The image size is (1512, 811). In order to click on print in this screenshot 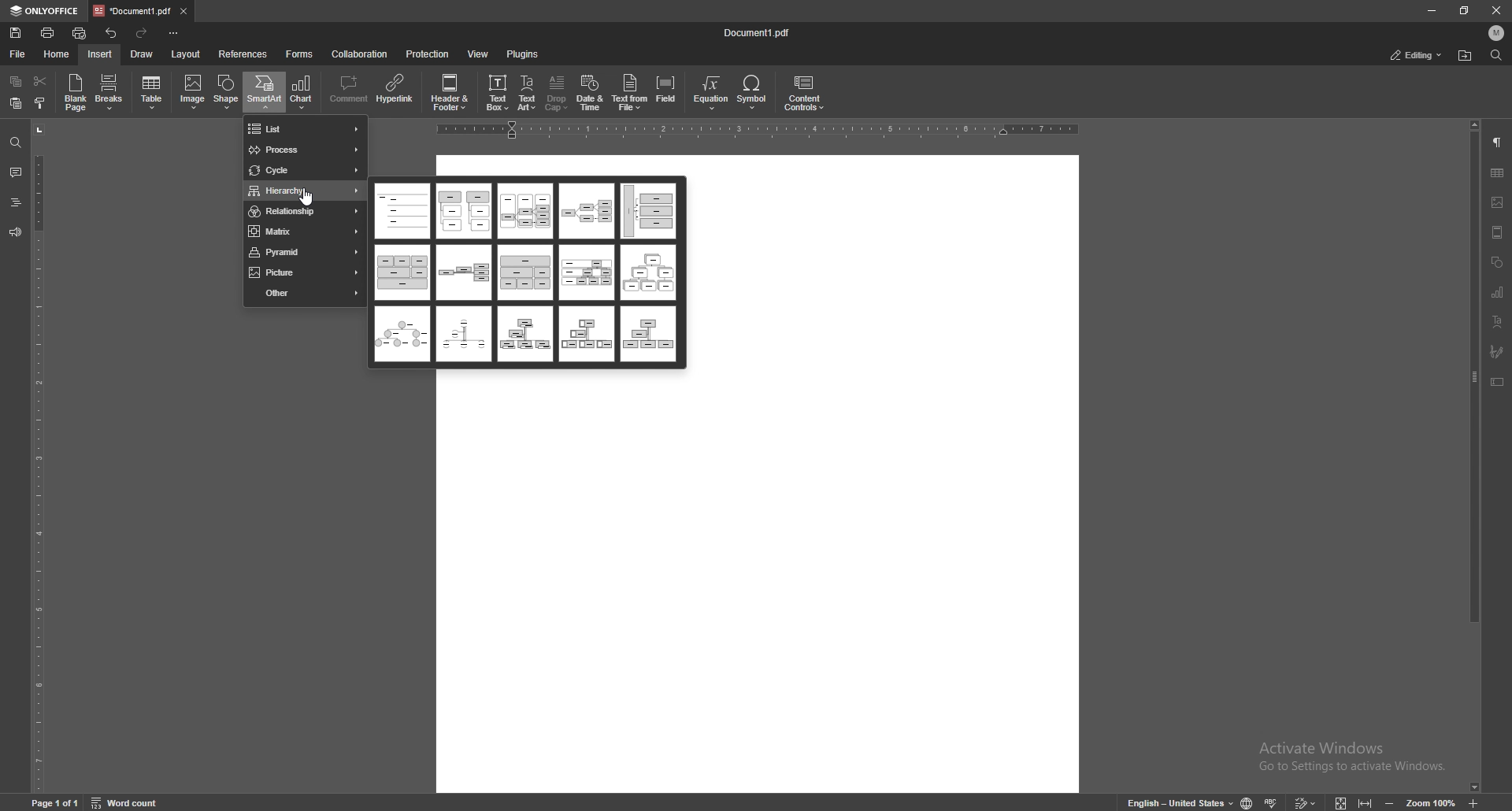, I will do `click(49, 33)`.